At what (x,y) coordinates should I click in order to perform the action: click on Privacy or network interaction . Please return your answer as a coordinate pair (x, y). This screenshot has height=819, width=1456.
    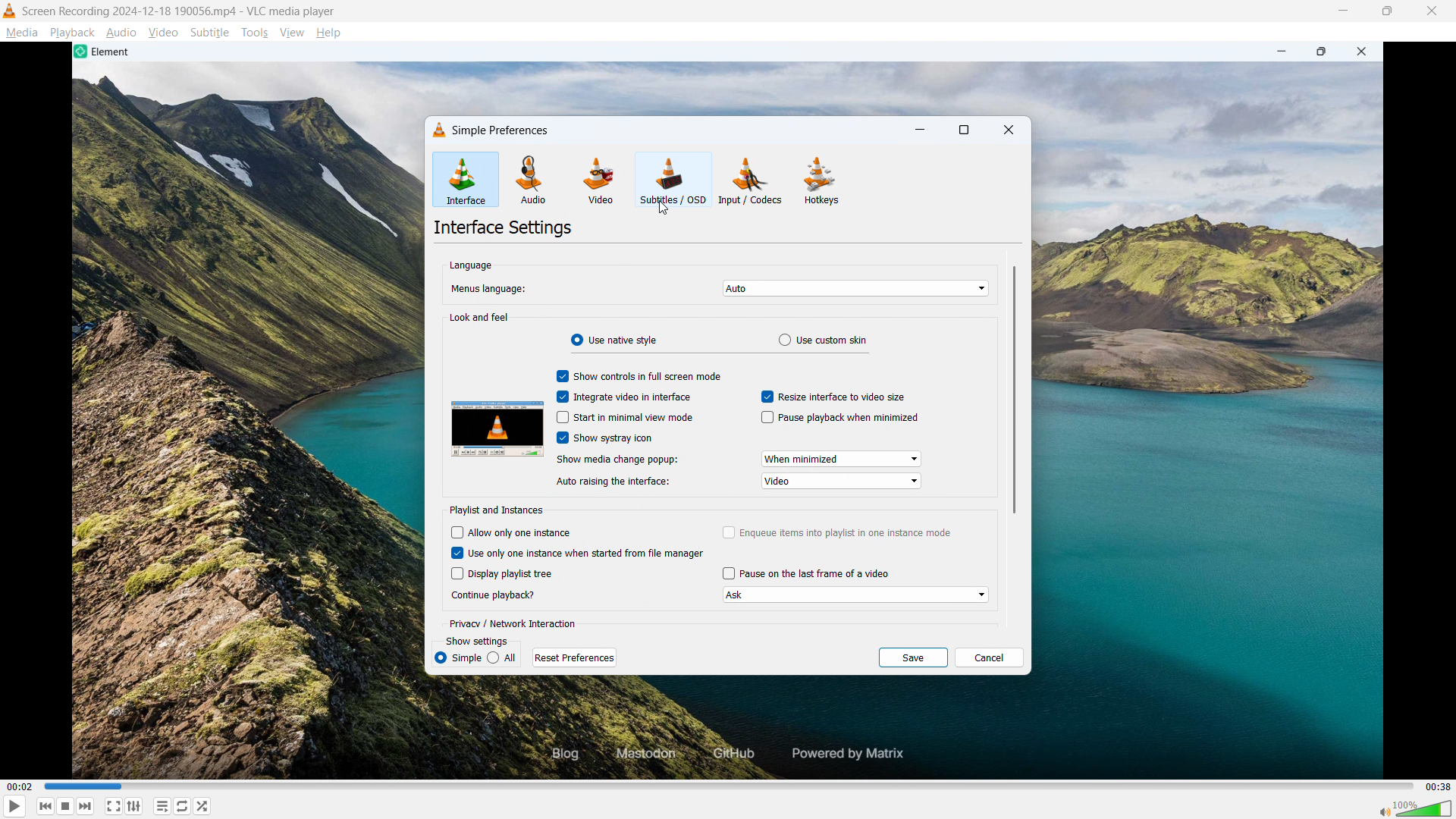
    Looking at the image, I should click on (516, 623).